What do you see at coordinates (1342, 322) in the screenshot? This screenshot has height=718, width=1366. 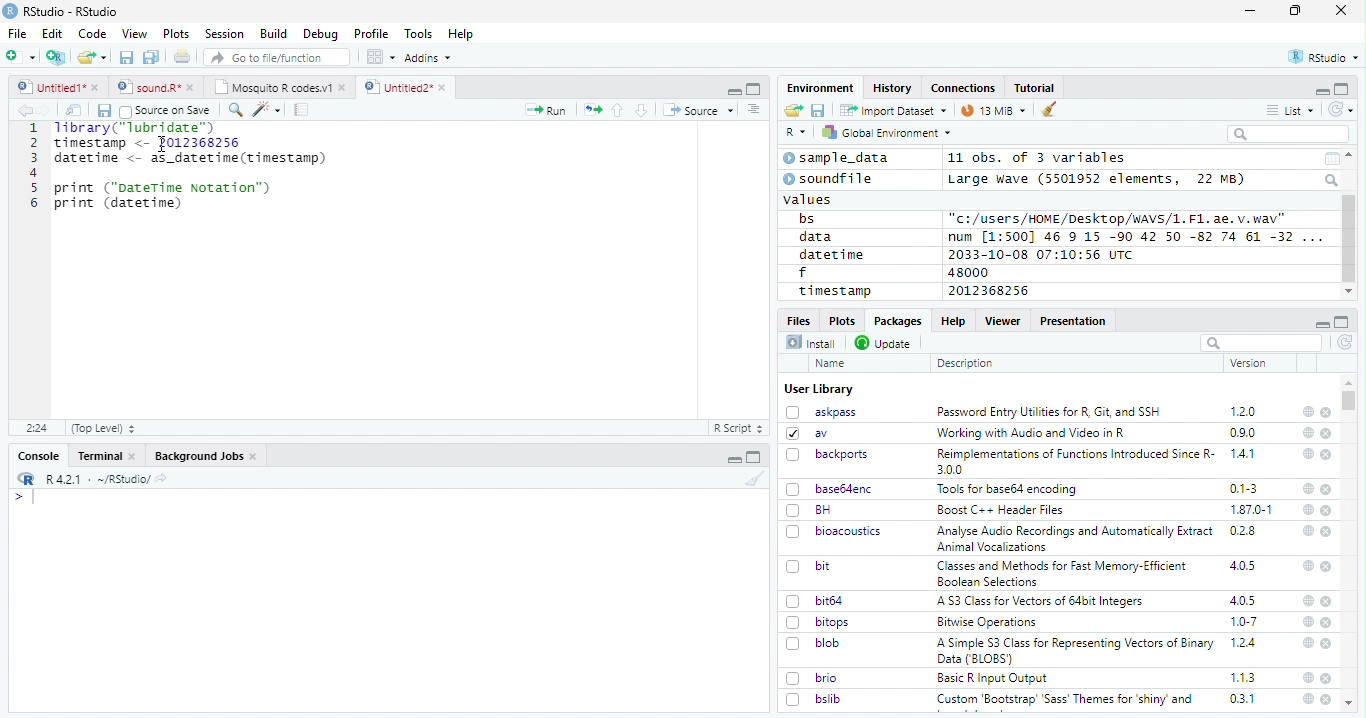 I see `full screen` at bounding box center [1342, 322].